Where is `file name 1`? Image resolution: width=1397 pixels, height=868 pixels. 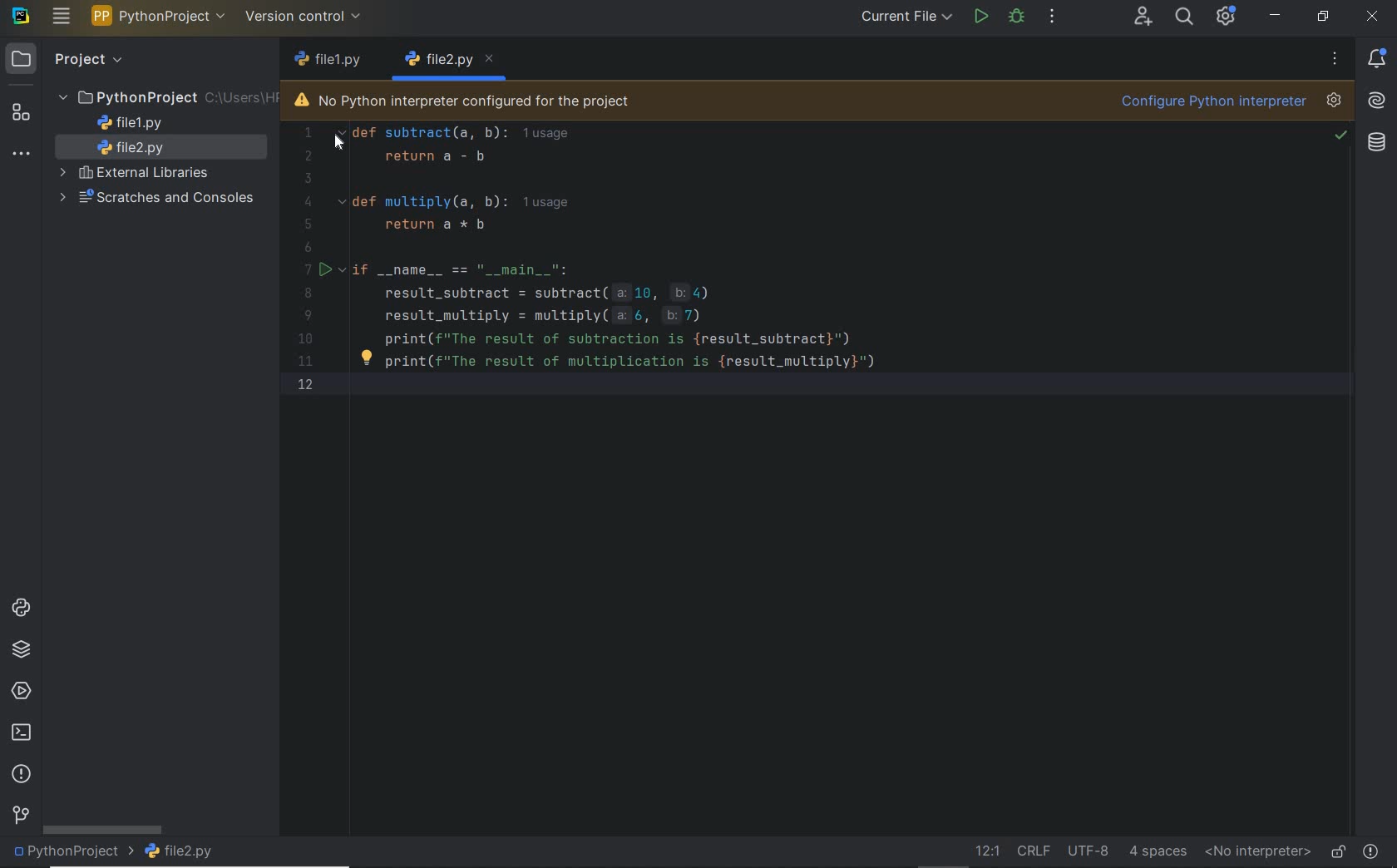
file name 1 is located at coordinates (437, 60).